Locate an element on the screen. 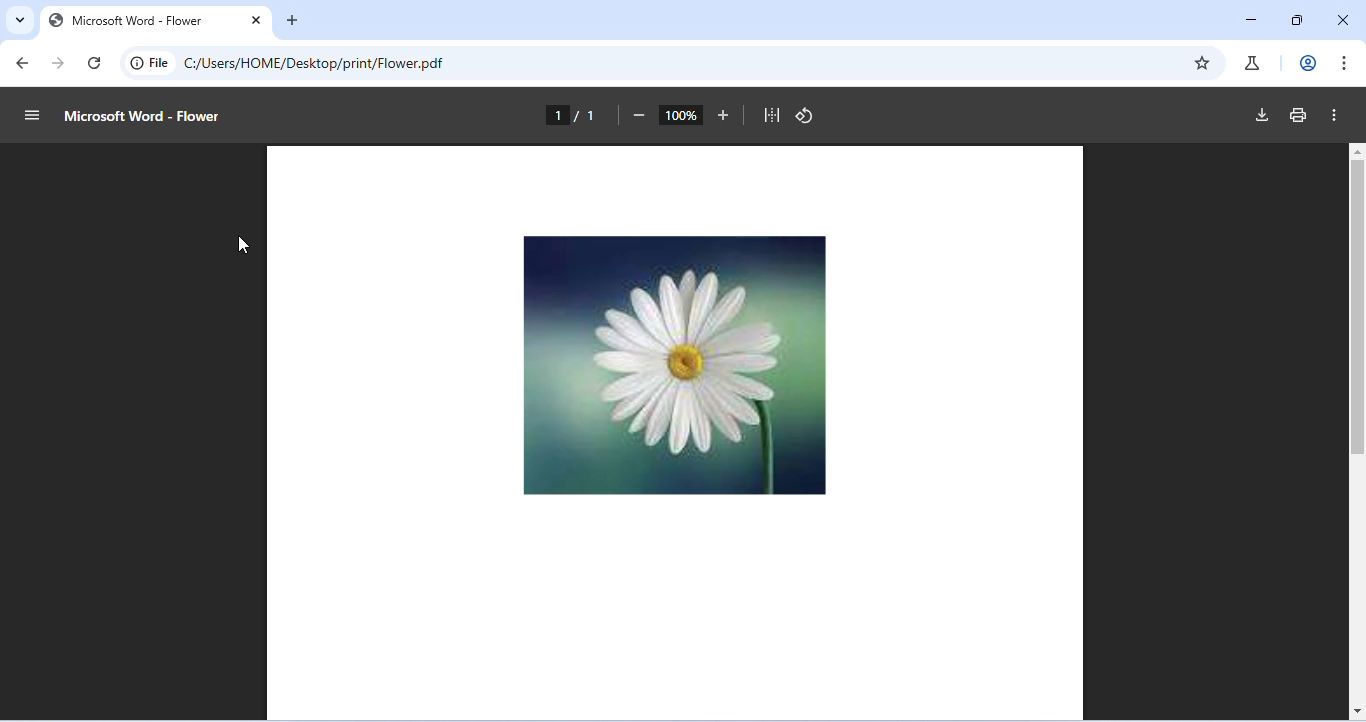 The image size is (1366, 722). customize and control chromium is located at coordinates (1344, 61).